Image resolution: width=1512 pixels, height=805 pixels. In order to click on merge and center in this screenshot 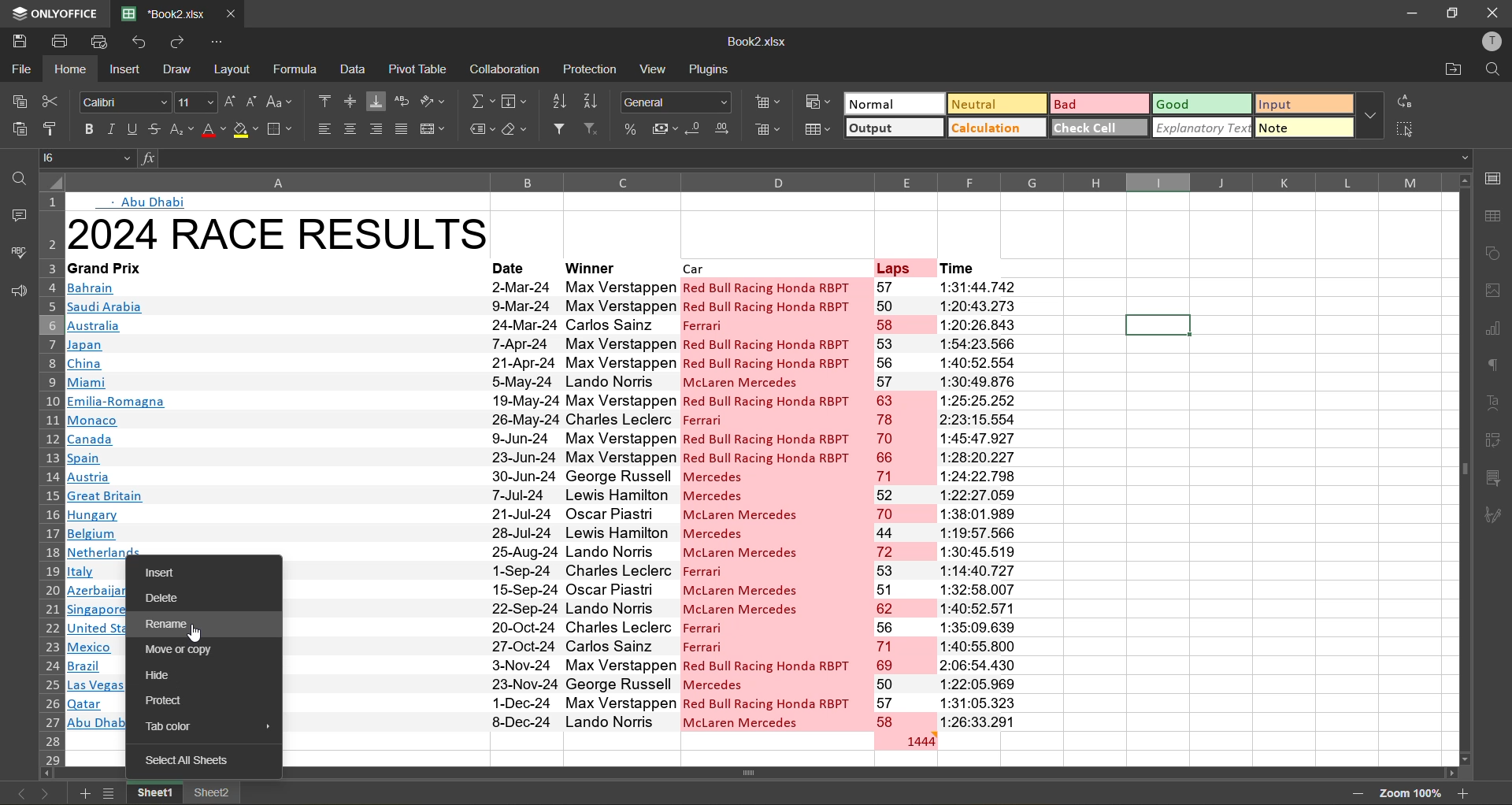, I will do `click(434, 130)`.